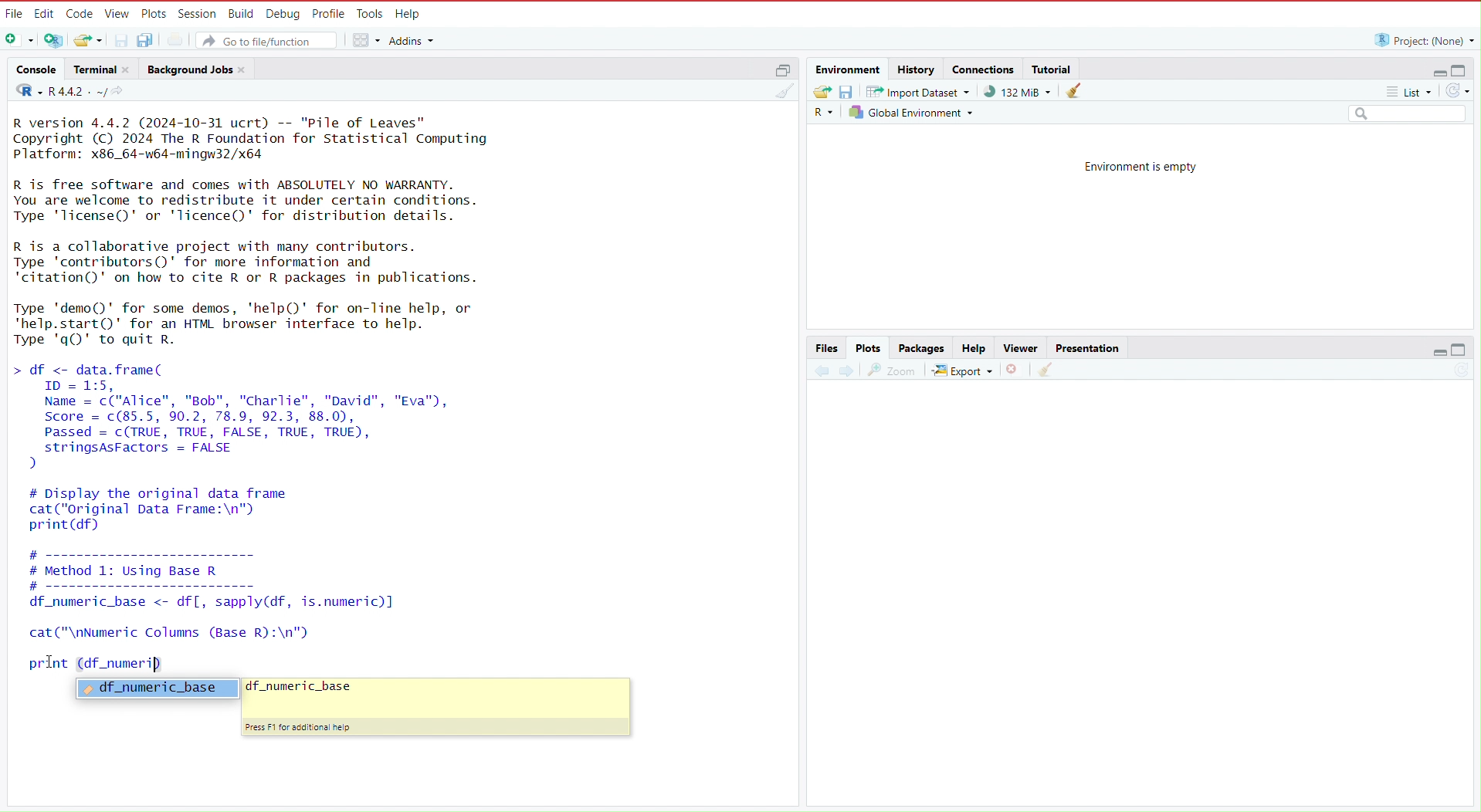  What do you see at coordinates (129, 69) in the screenshot?
I see `close` at bounding box center [129, 69].